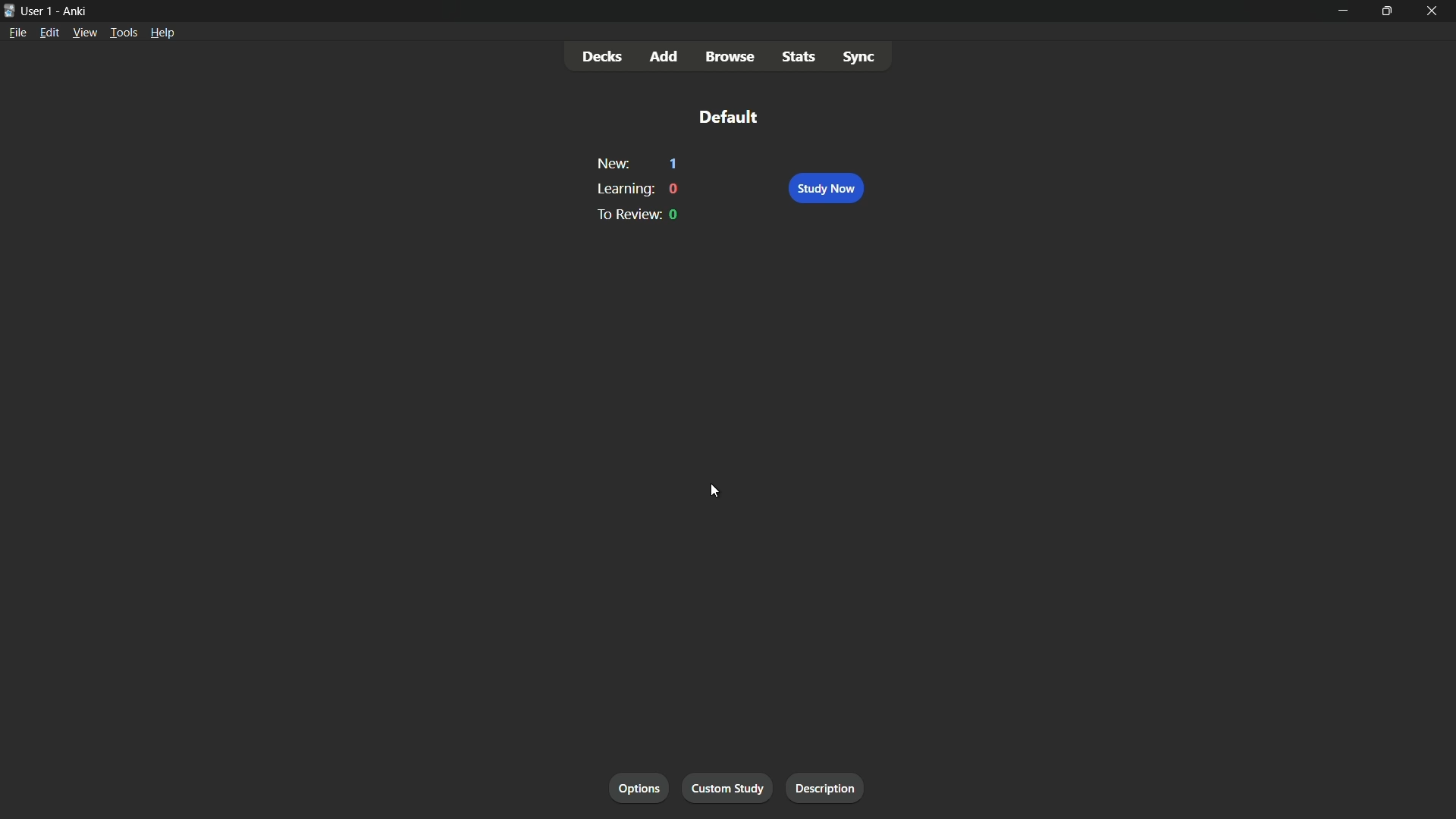 This screenshot has width=1456, height=819. I want to click on cursor, so click(717, 493).